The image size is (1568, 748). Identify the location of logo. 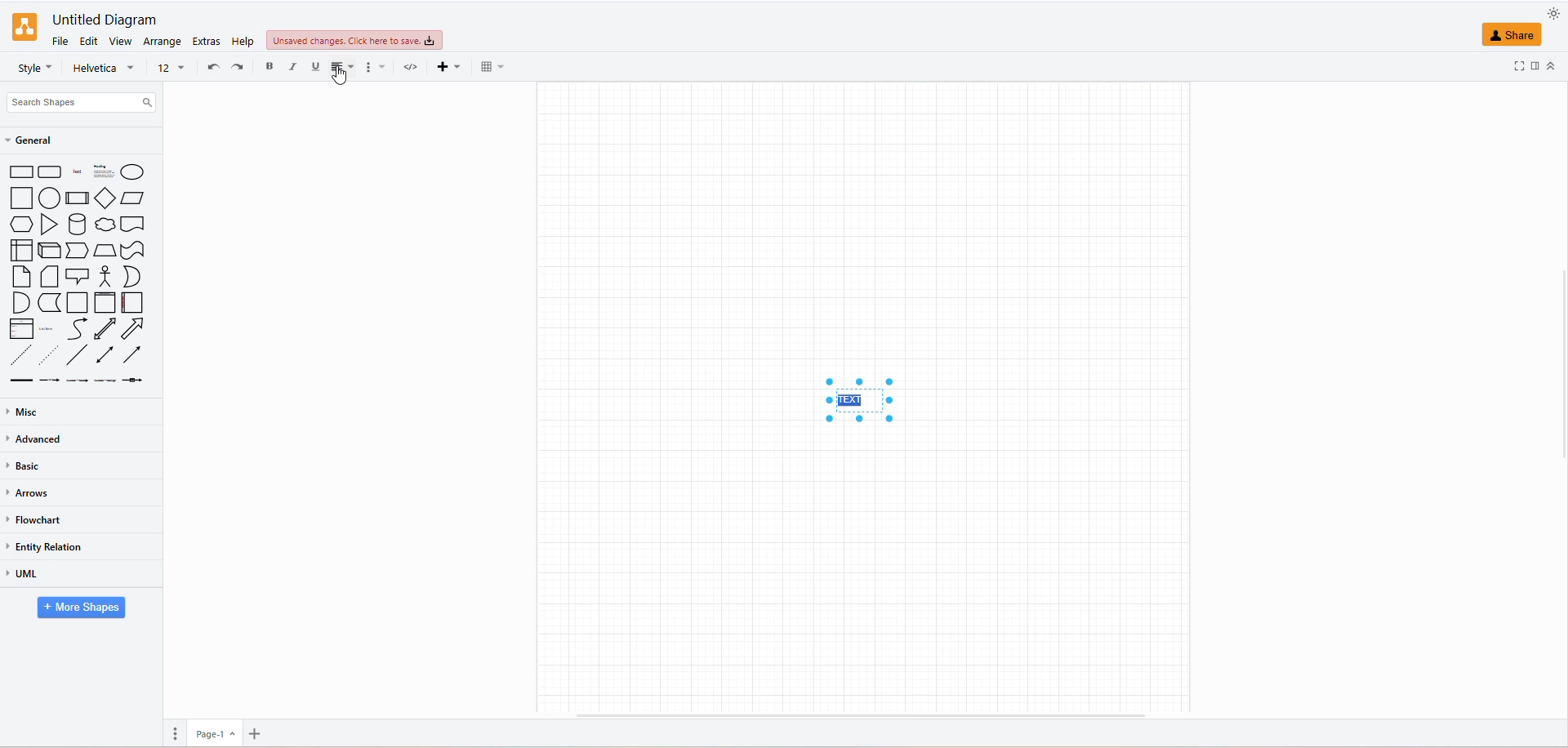
(23, 27).